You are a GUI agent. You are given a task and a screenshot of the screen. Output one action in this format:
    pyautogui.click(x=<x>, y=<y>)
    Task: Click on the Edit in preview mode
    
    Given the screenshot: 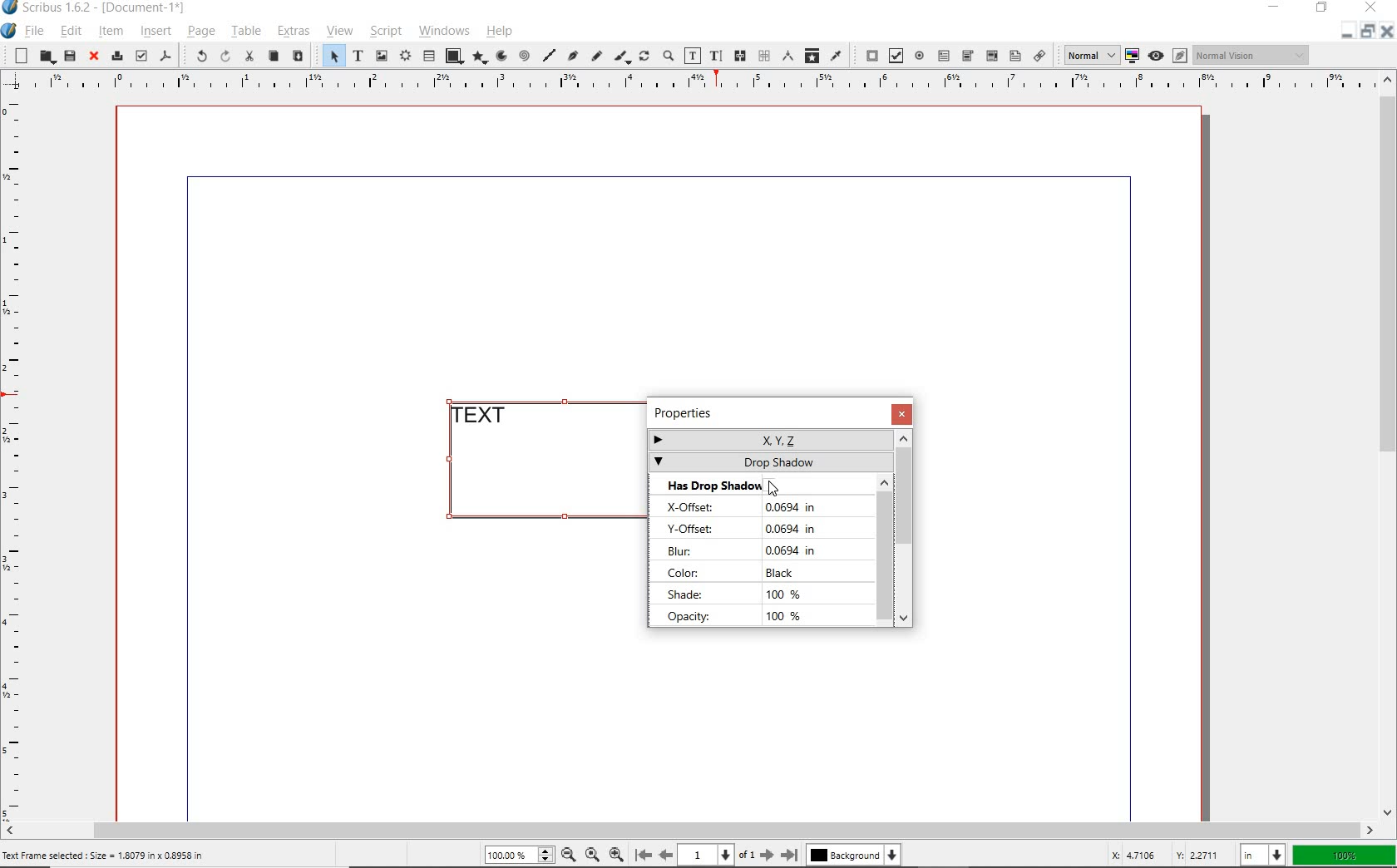 What is the action you would take?
    pyautogui.click(x=1181, y=55)
    